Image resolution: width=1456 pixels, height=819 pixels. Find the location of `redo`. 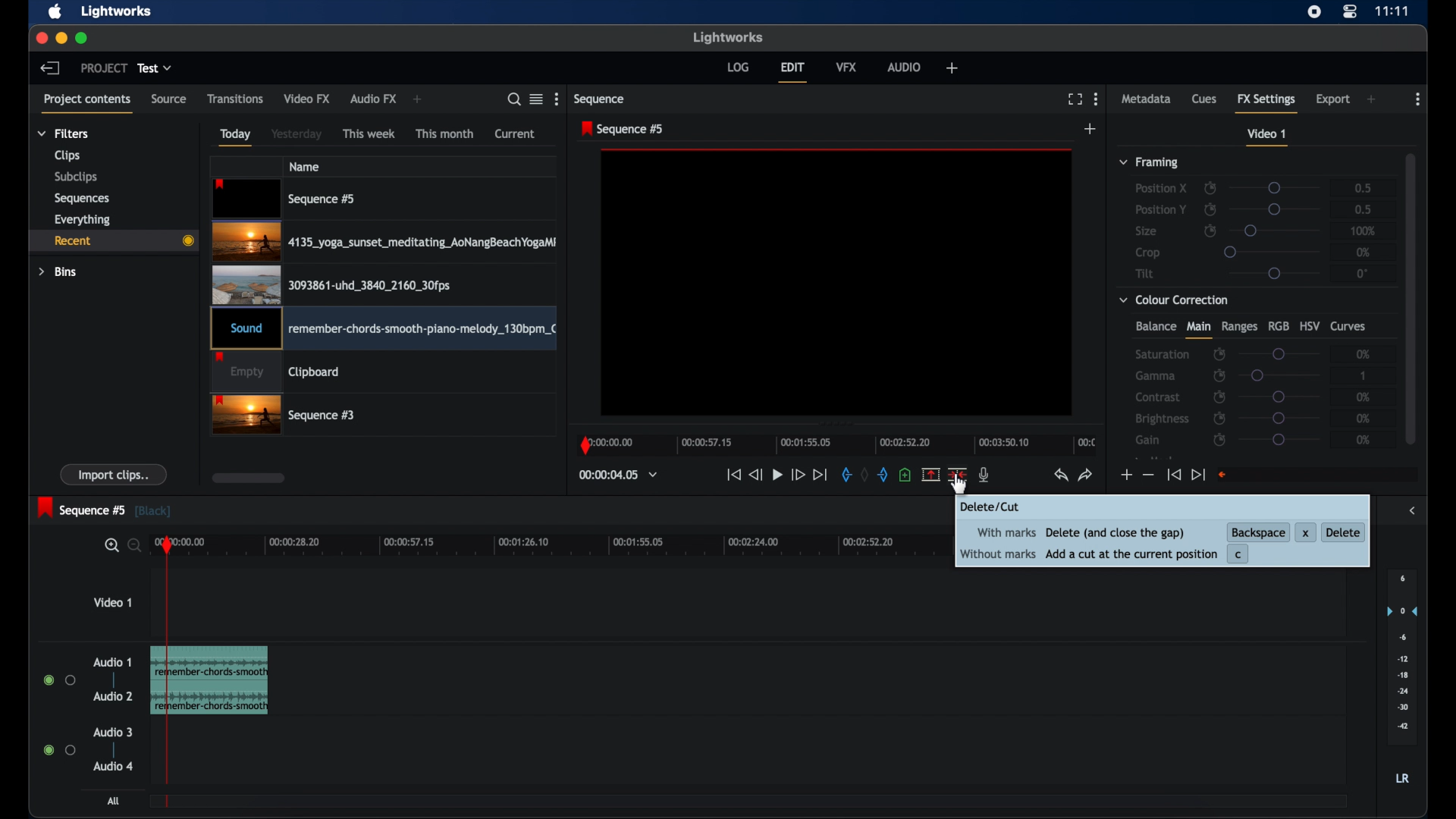

redo is located at coordinates (1086, 475).